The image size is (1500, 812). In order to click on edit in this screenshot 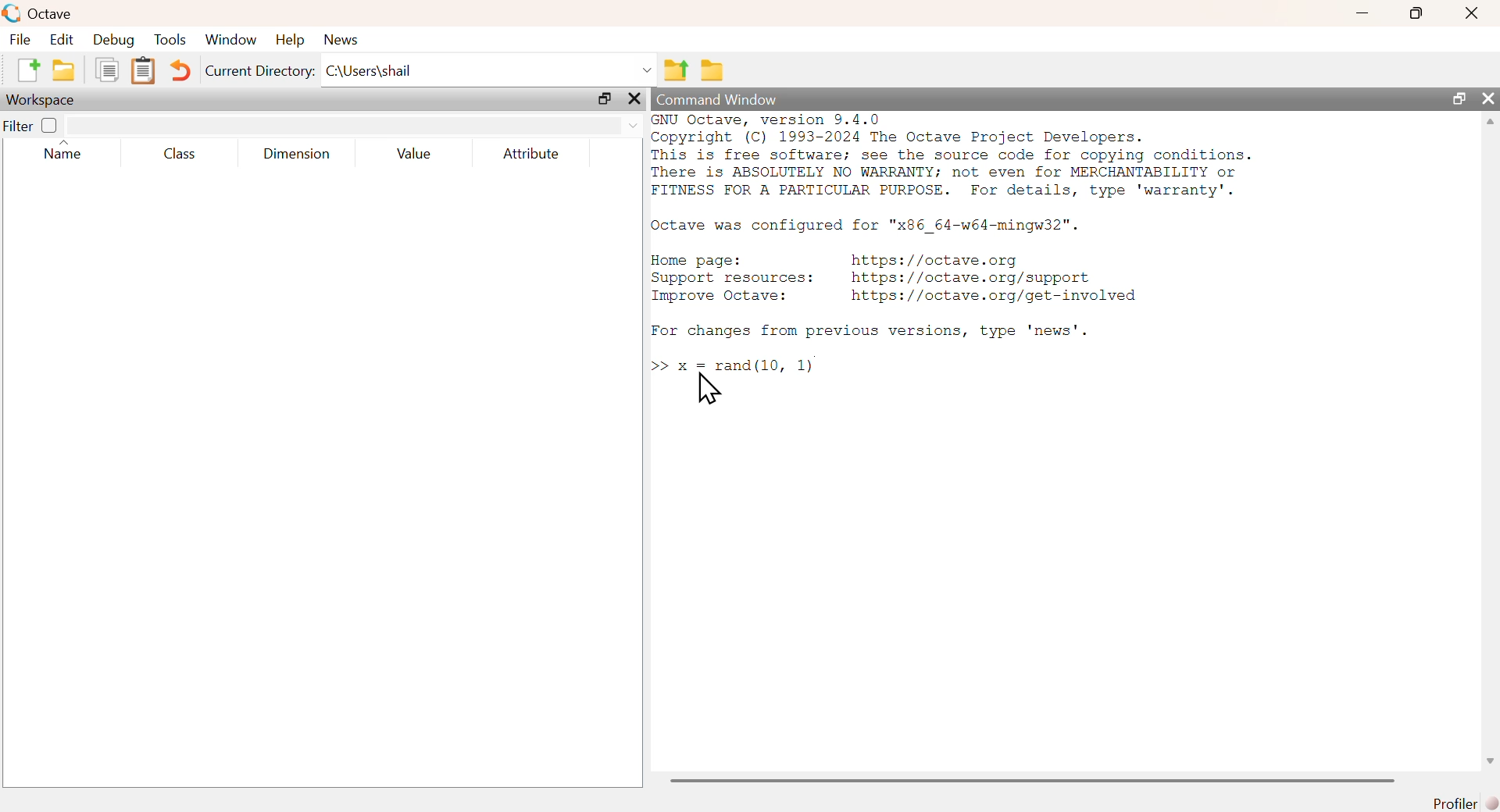, I will do `click(64, 41)`.